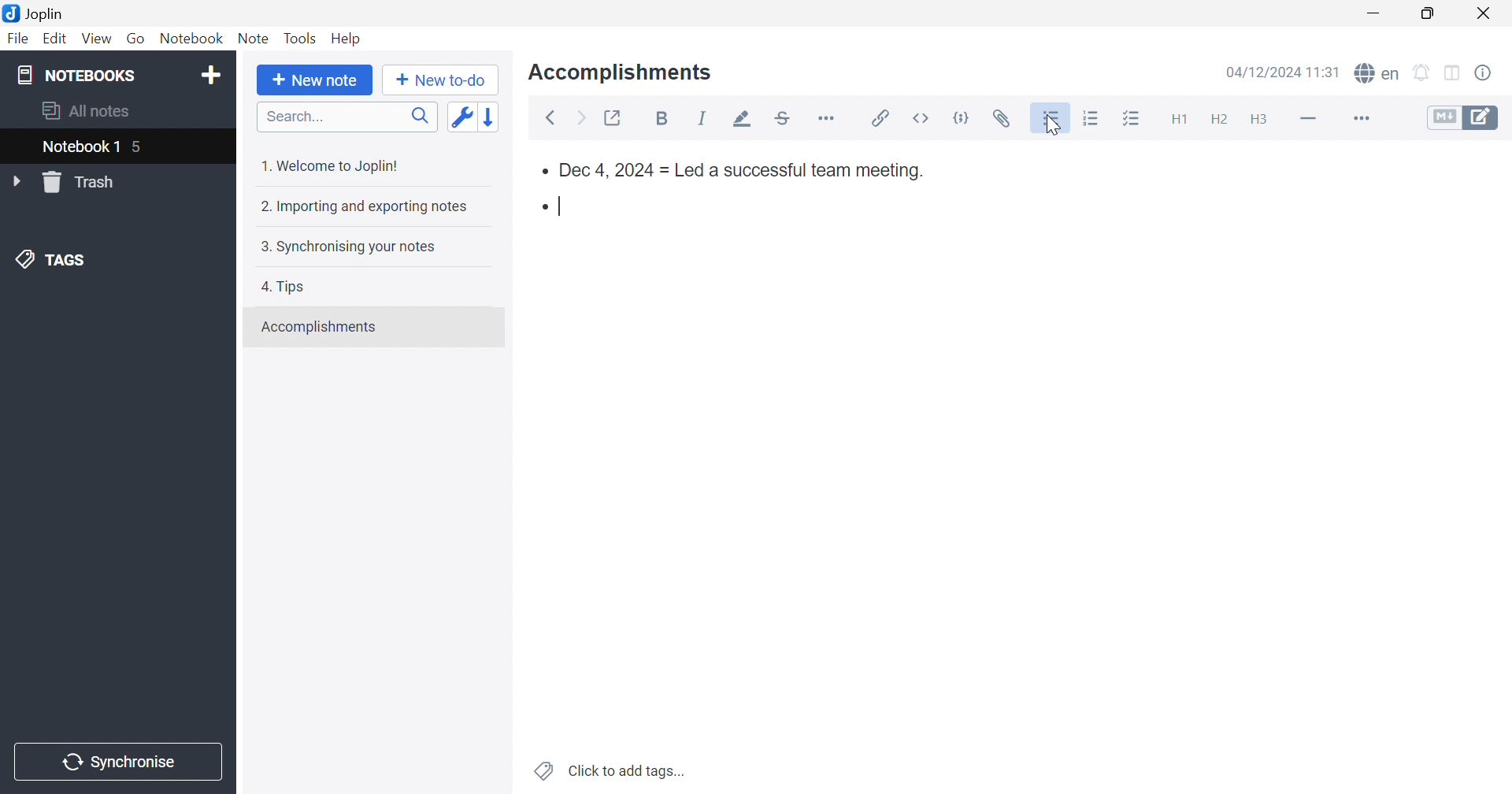 This screenshot has height=794, width=1512. Describe the element at coordinates (46, 258) in the screenshot. I see `TAGS` at that location.